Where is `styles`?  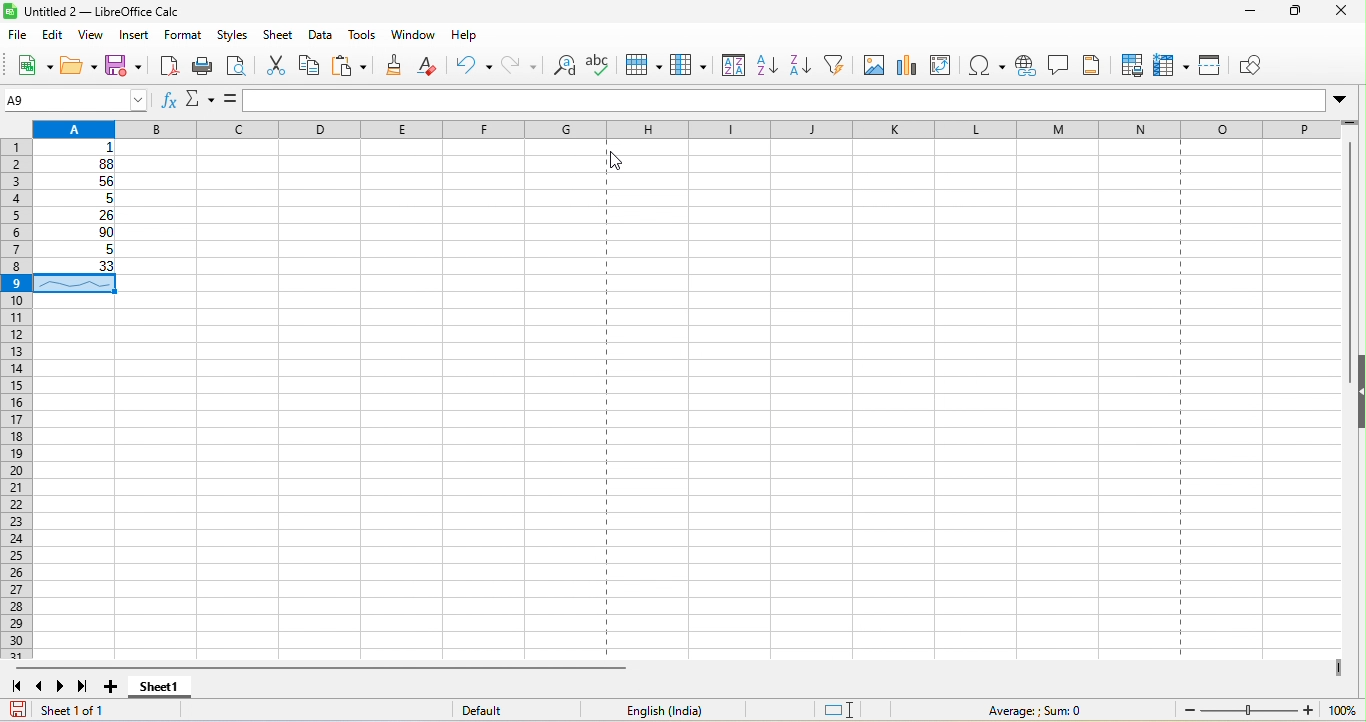
styles is located at coordinates (234, 36).